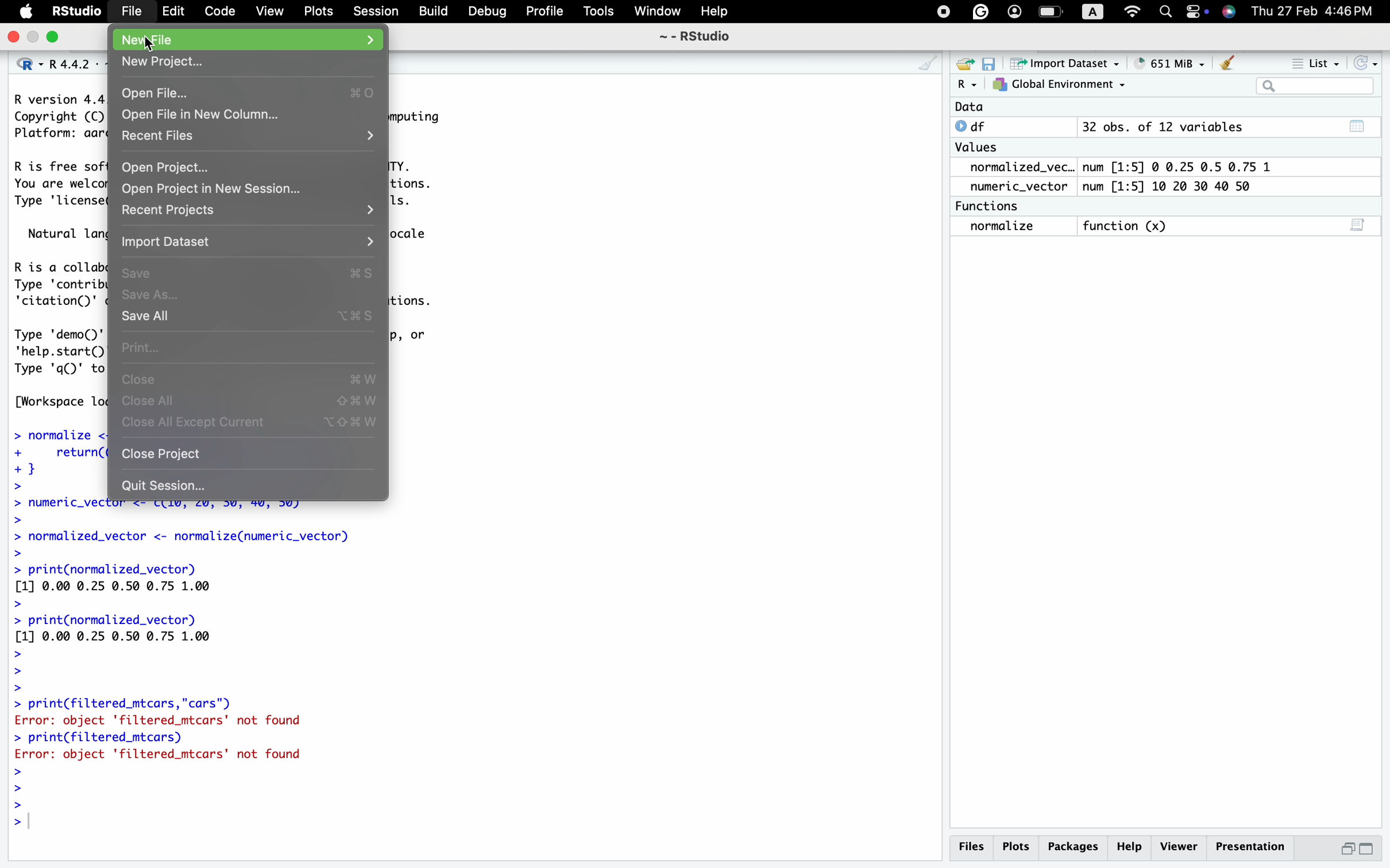 The width and height of the screenshot is (1390, 868). Describe the element at coordinates (1358, 848) in the screenshot. I see `maximize/minimize button` at that location.